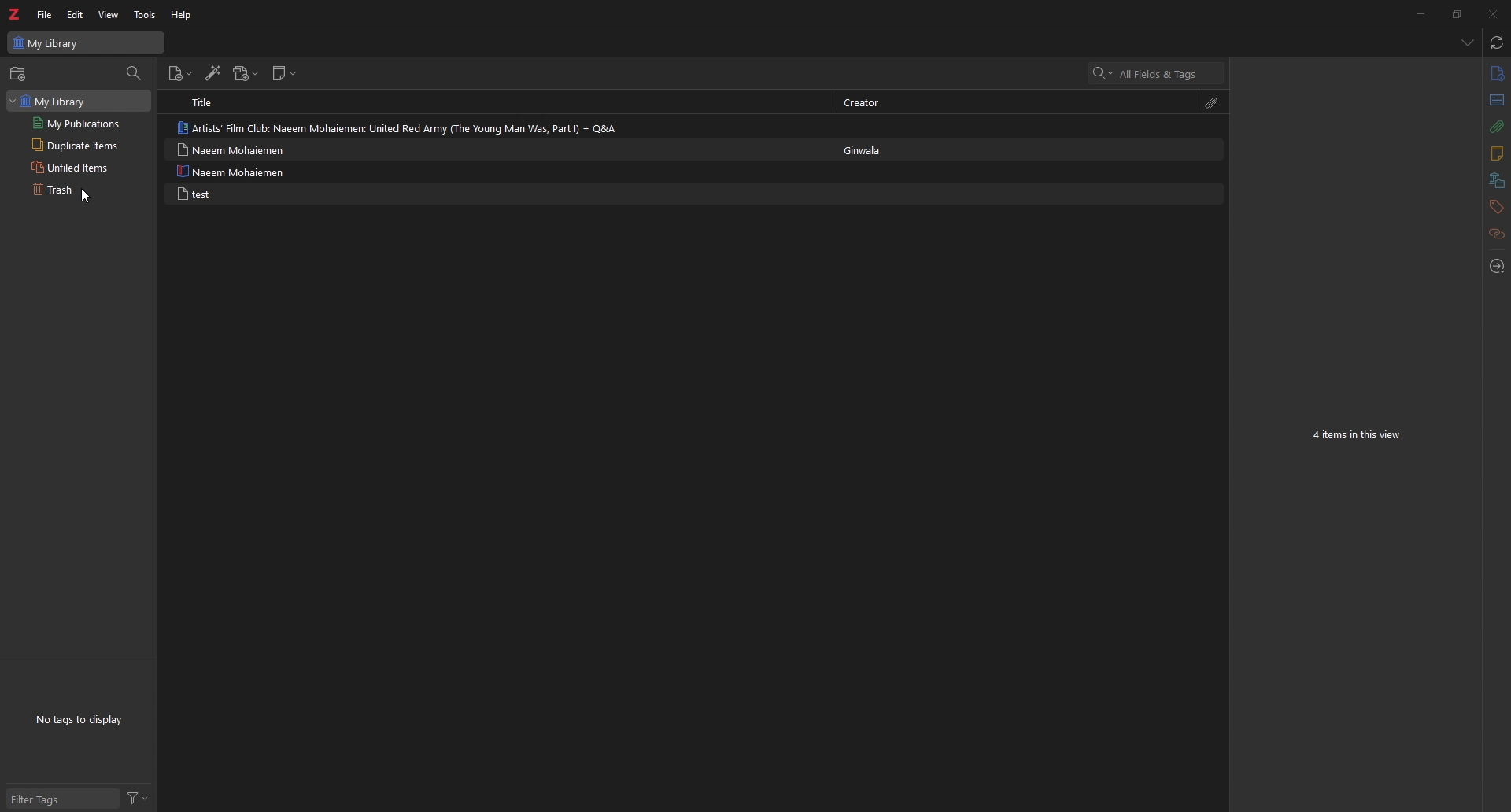  What do you see at coordinates (79, 101) in the screenshot?
I see `my library` at bounding box center [79, 101].